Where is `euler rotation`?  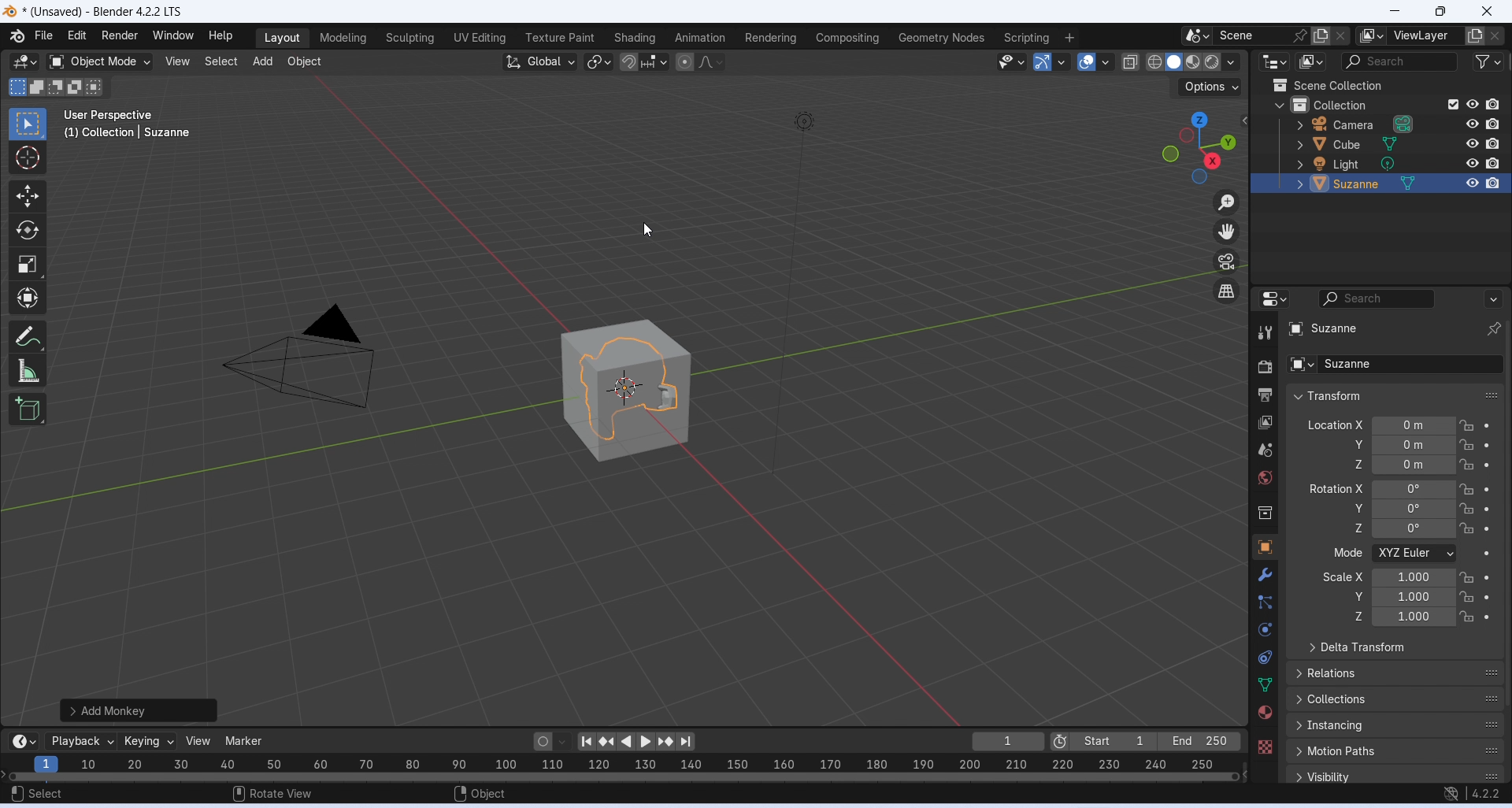 euler rotation is located at coordinates (1414, 490).